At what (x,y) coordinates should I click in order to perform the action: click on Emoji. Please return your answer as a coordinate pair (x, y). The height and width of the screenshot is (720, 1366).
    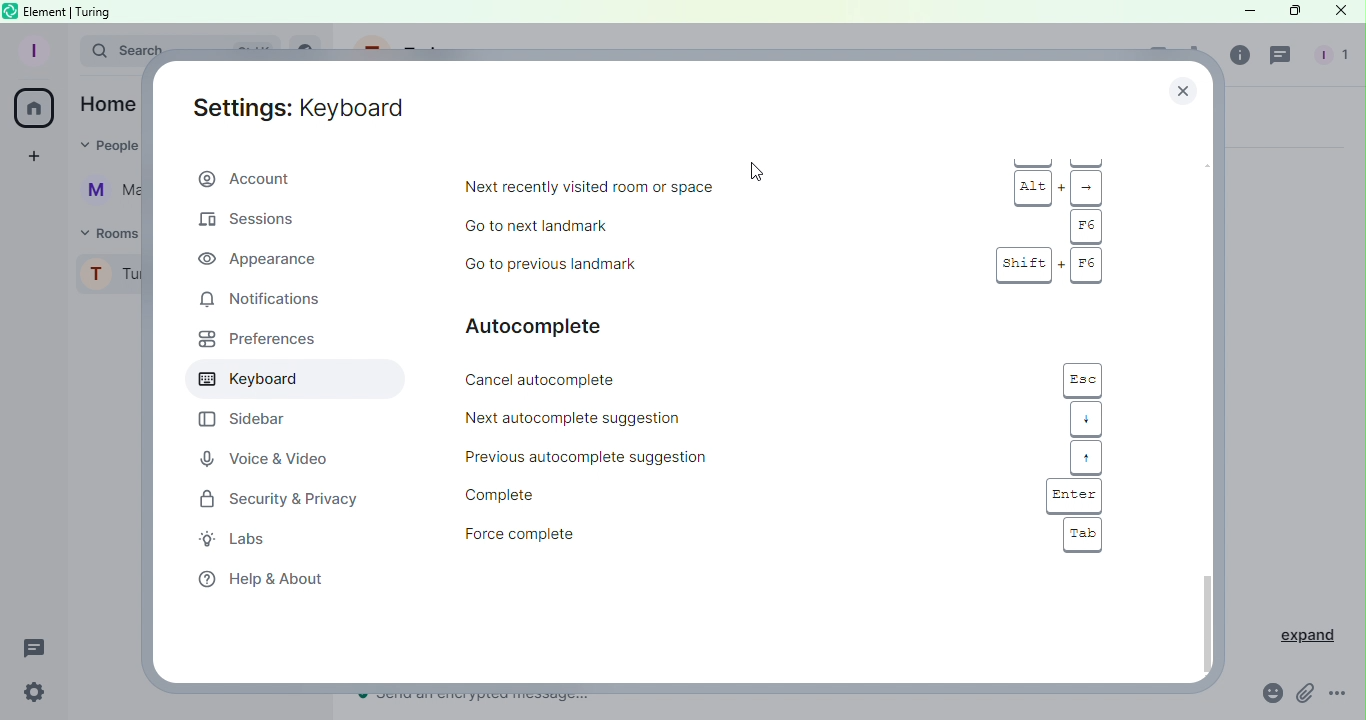
    Looking at the image, I should click on (1270, 693).